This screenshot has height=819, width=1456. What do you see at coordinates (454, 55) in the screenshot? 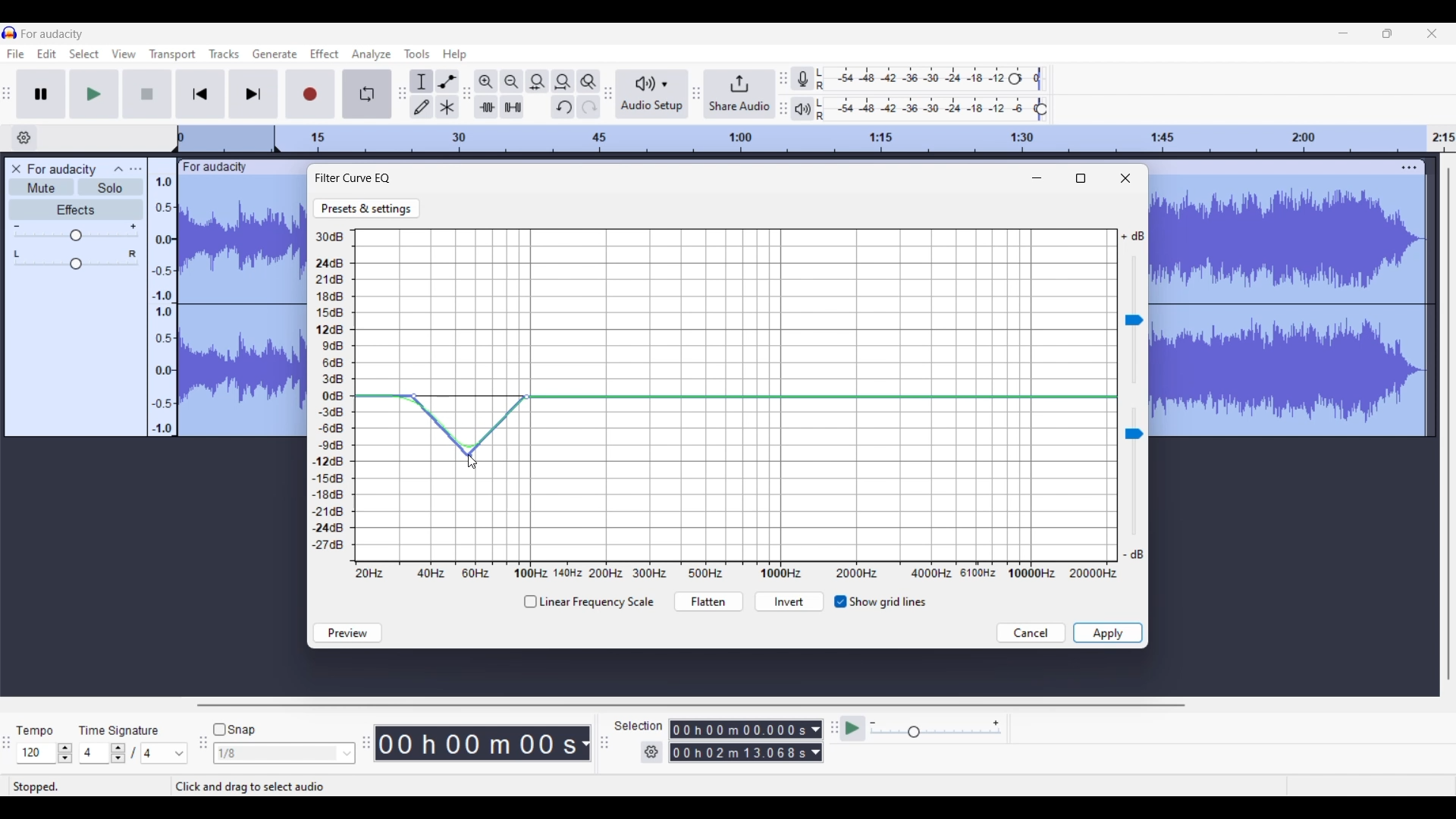
I see `Help menu` at bounding box center [454, 55].